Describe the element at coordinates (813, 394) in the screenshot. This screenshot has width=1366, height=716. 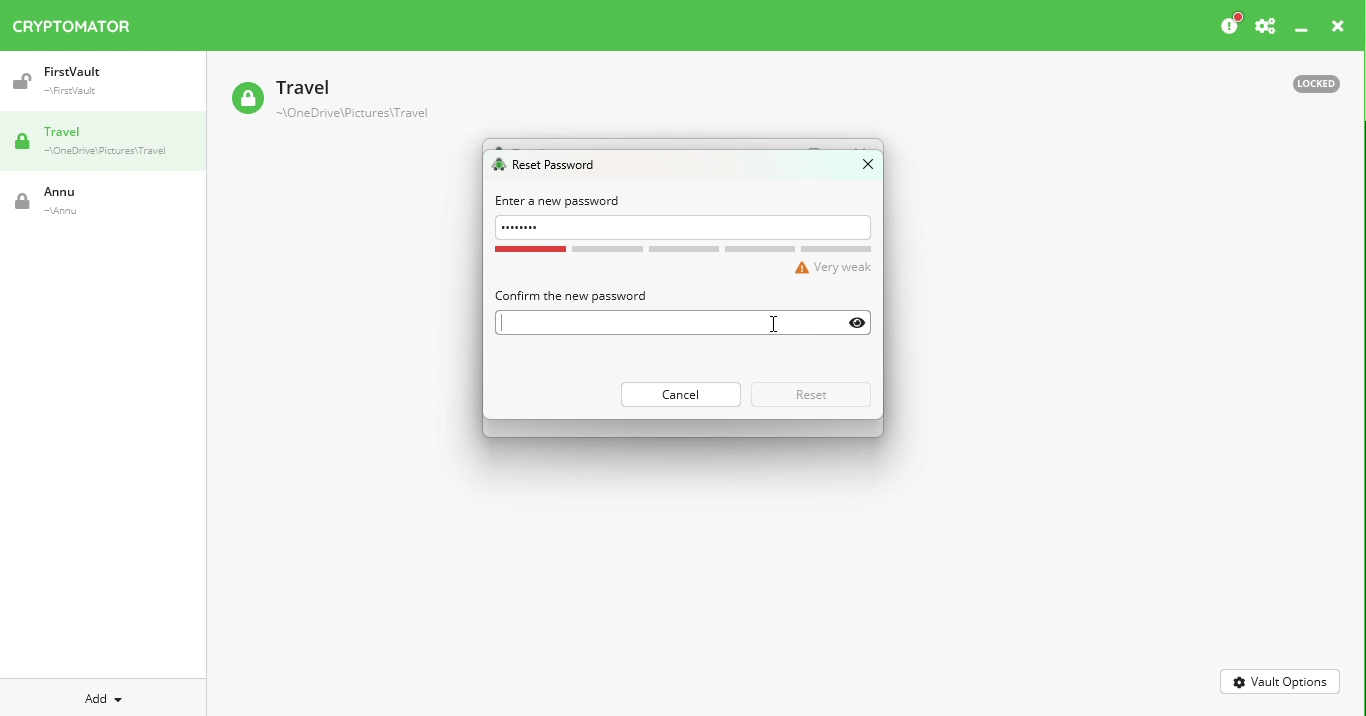
I see `Reset` at that location.